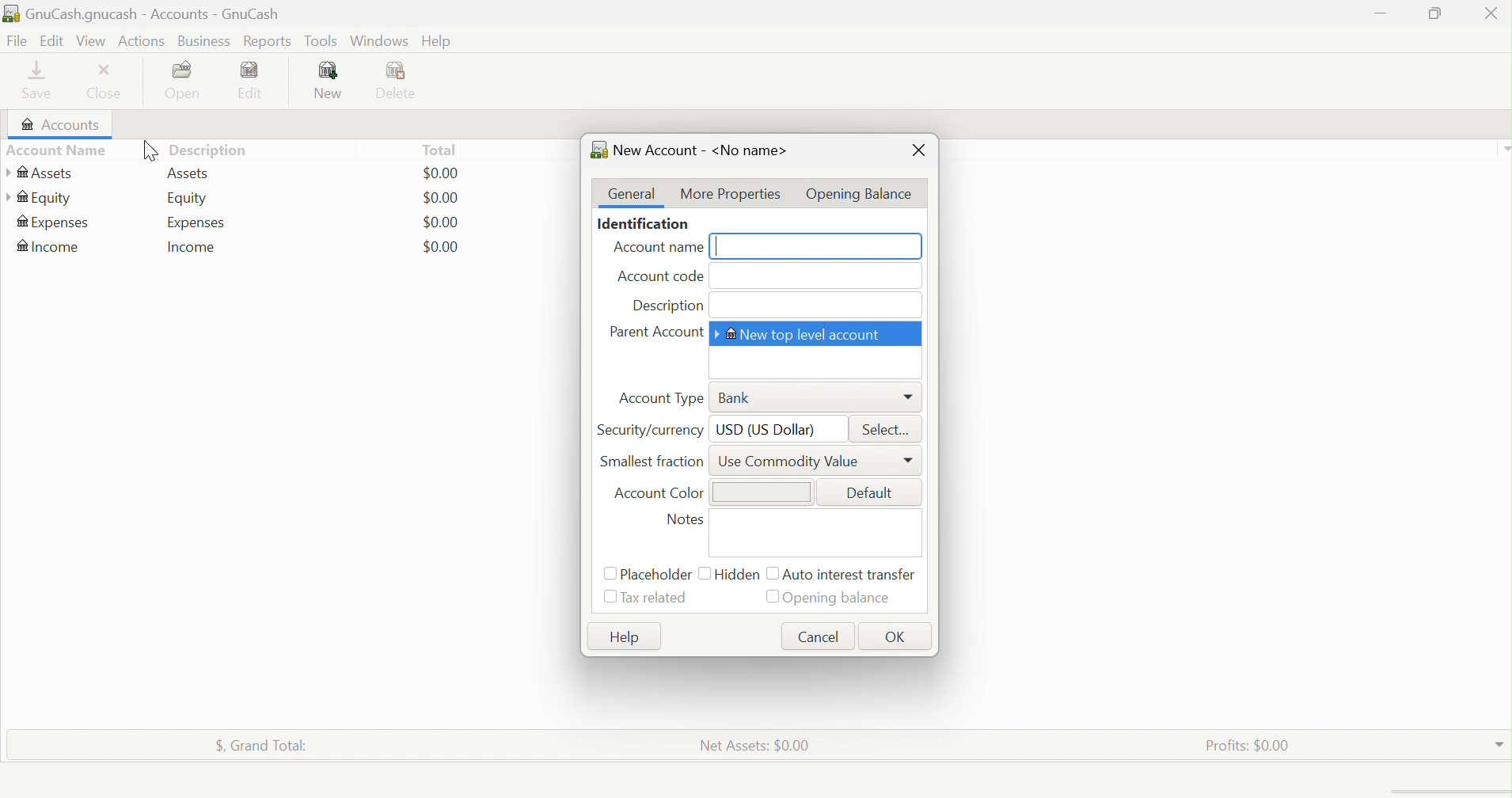 This screenshot has height=798, width=1512. Describe the element at coordinates (108, 82) in the screenshot. I see `Close` at that location.